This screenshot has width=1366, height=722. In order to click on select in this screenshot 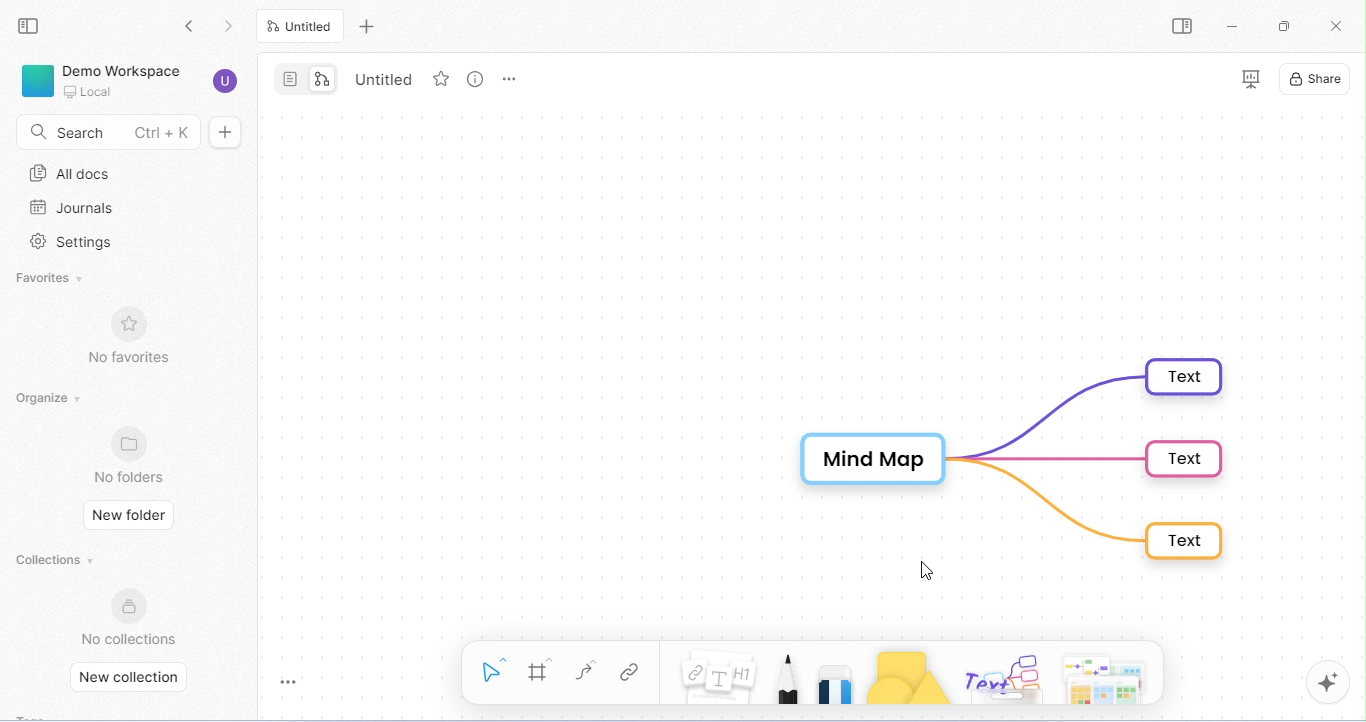, I will do `click(492, 669)`.